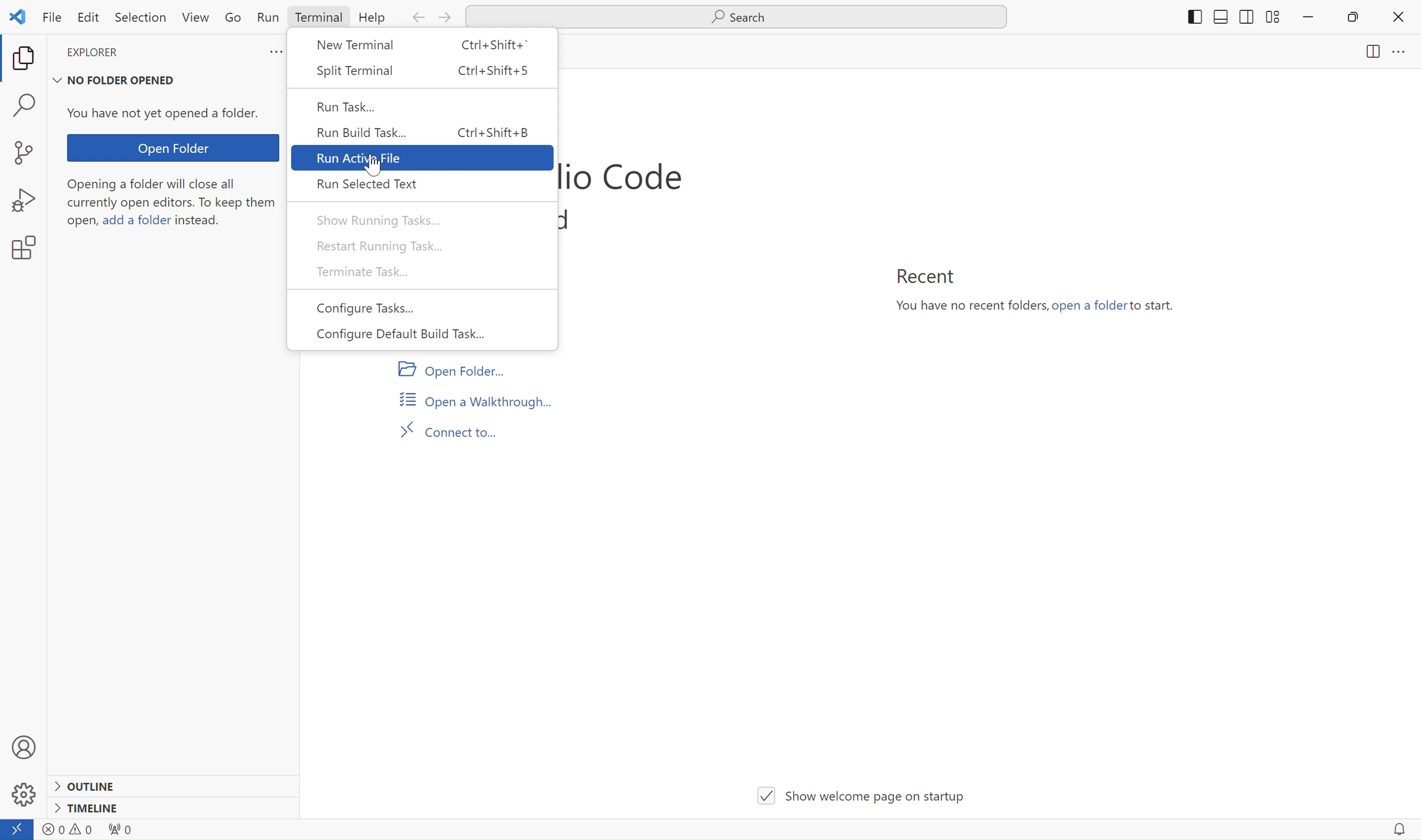  Describe the element at coordinates (176, 148) in the screenshot. I see `Open folder` at that location.